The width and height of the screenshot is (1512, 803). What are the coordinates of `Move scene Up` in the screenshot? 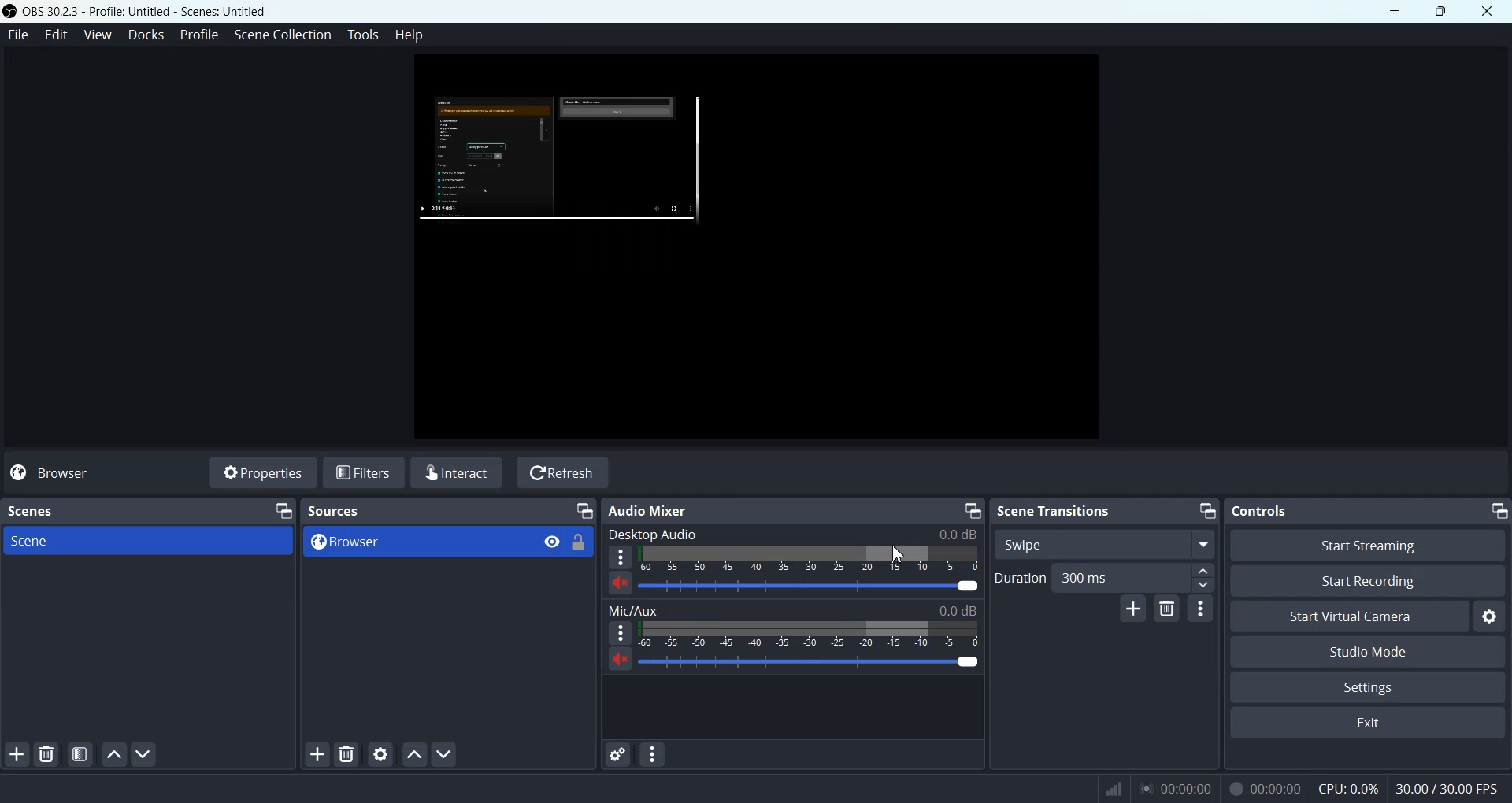 It's located at (111, 754).